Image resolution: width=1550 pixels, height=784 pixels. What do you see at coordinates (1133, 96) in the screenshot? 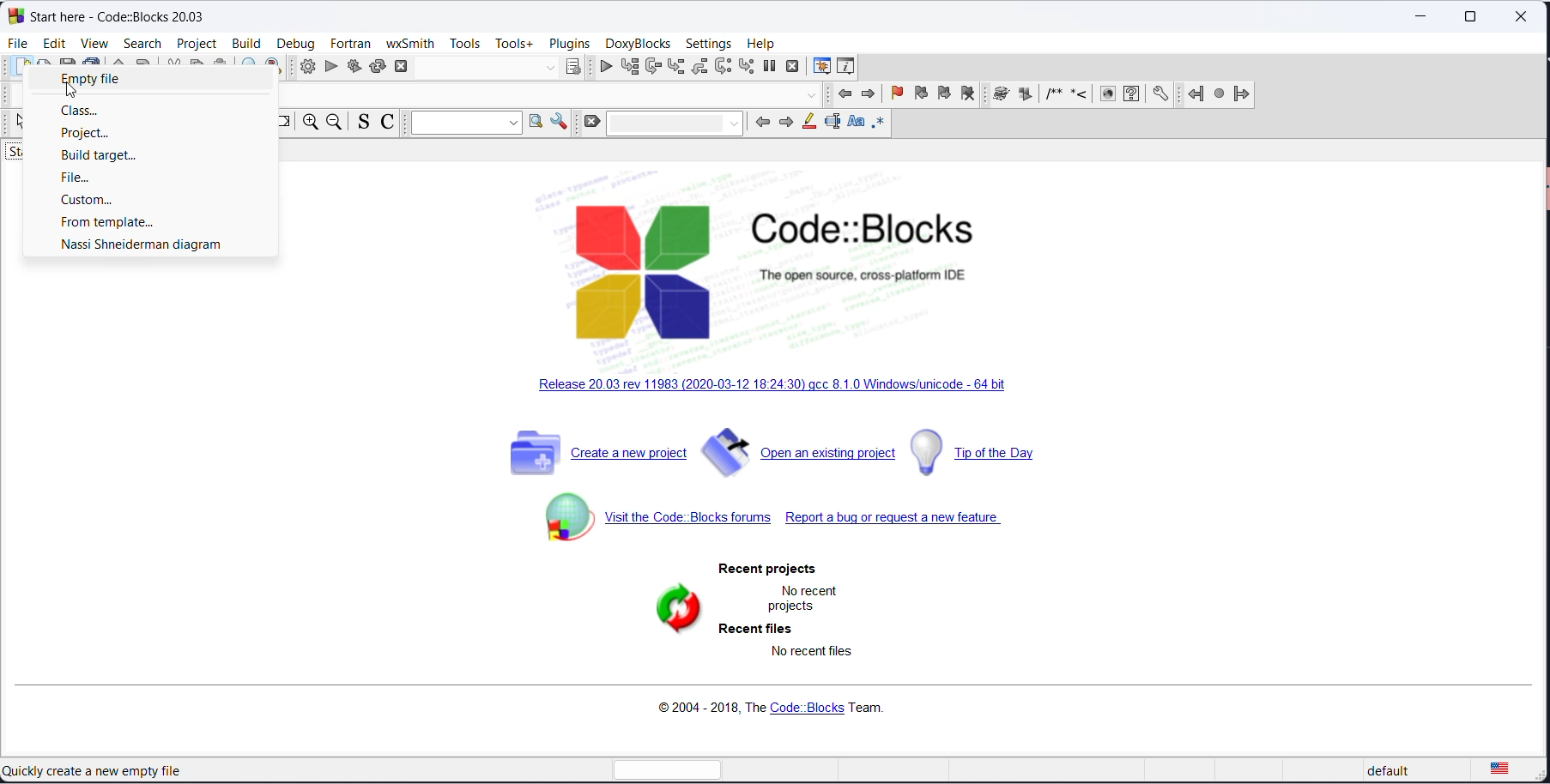
I see `HTML help` at bounding box center [1133, 96].